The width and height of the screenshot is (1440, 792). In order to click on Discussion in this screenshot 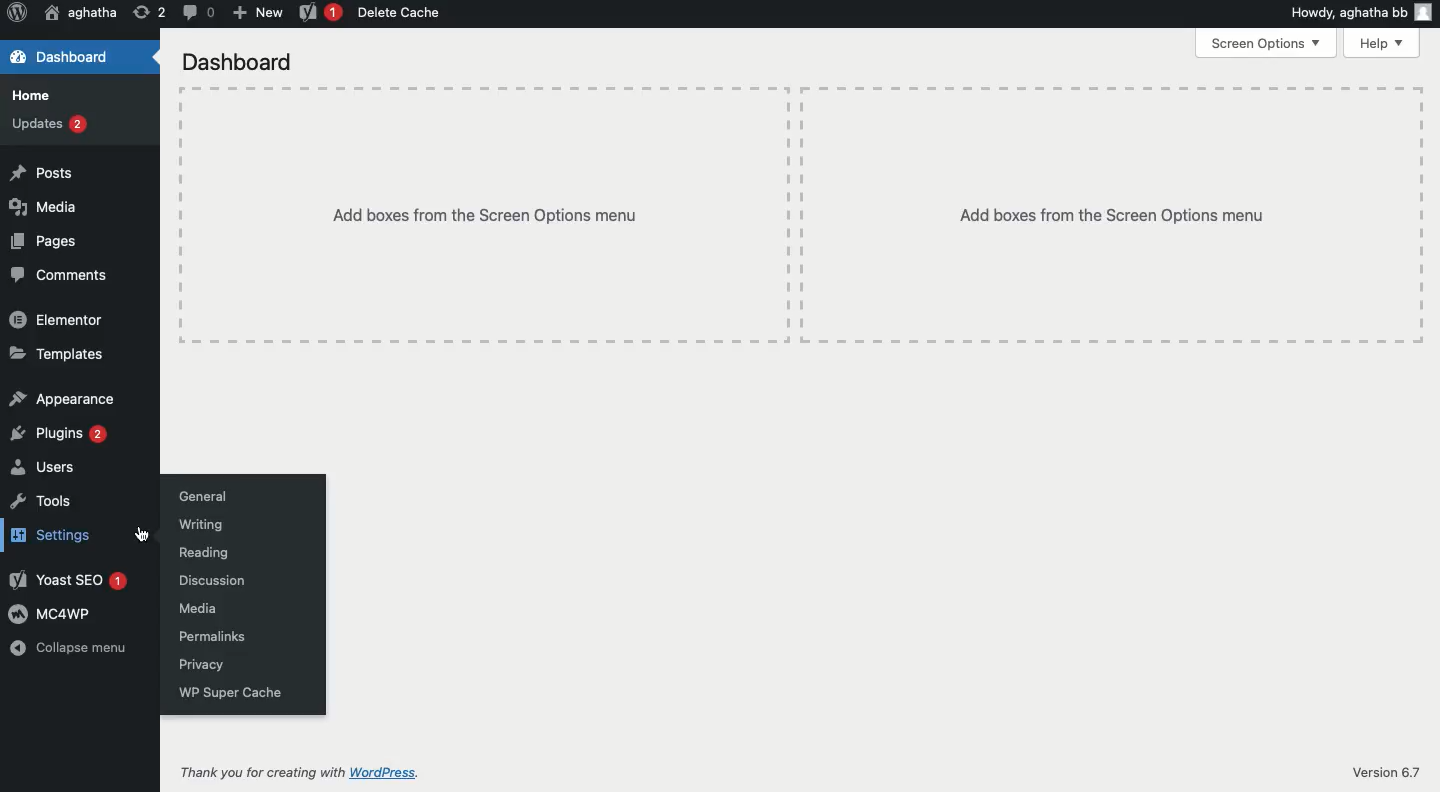, I will do `click(207, 580)`.